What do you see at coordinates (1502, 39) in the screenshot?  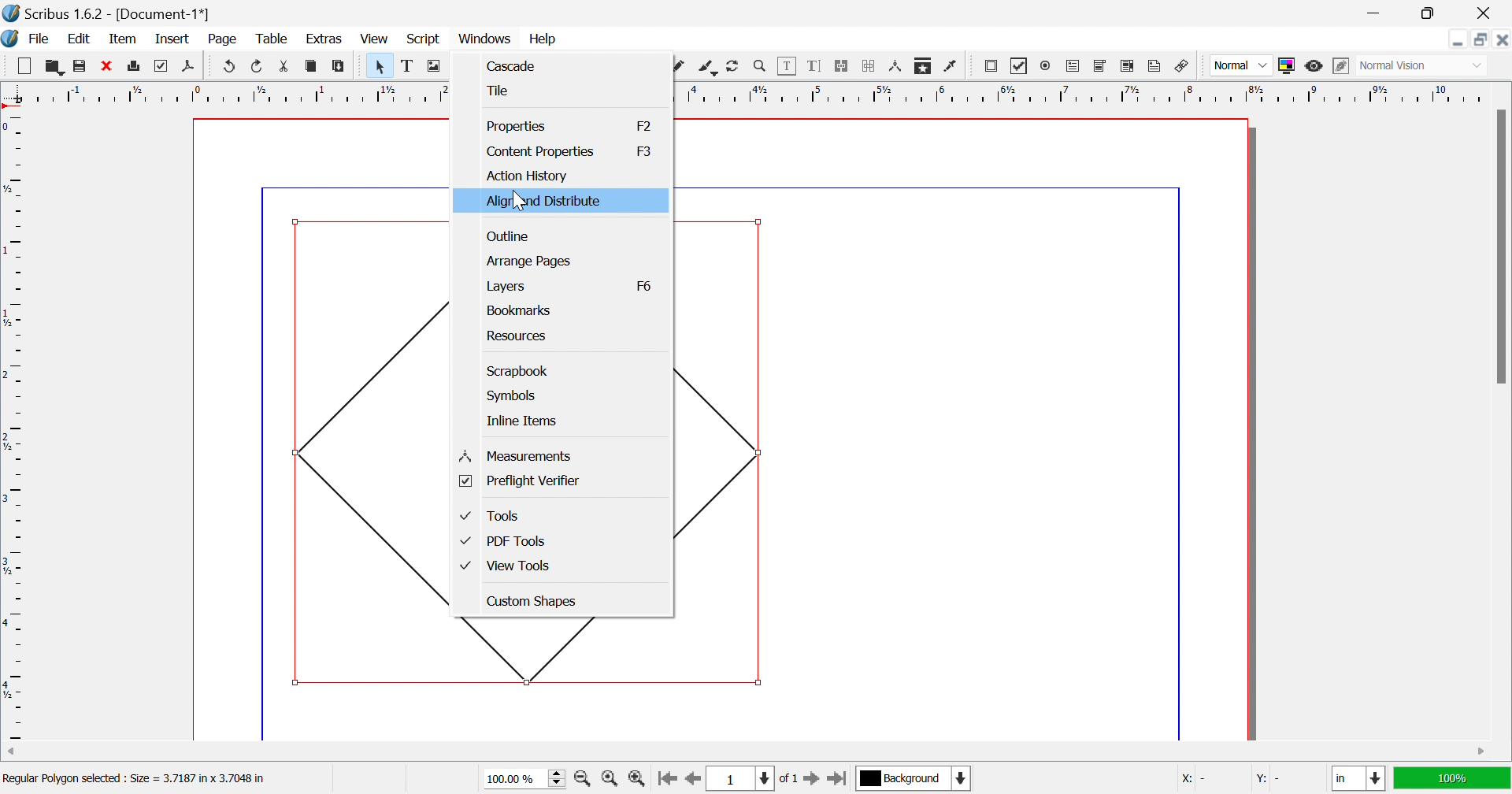 I see `Close` at bounding box center [1502, 39].